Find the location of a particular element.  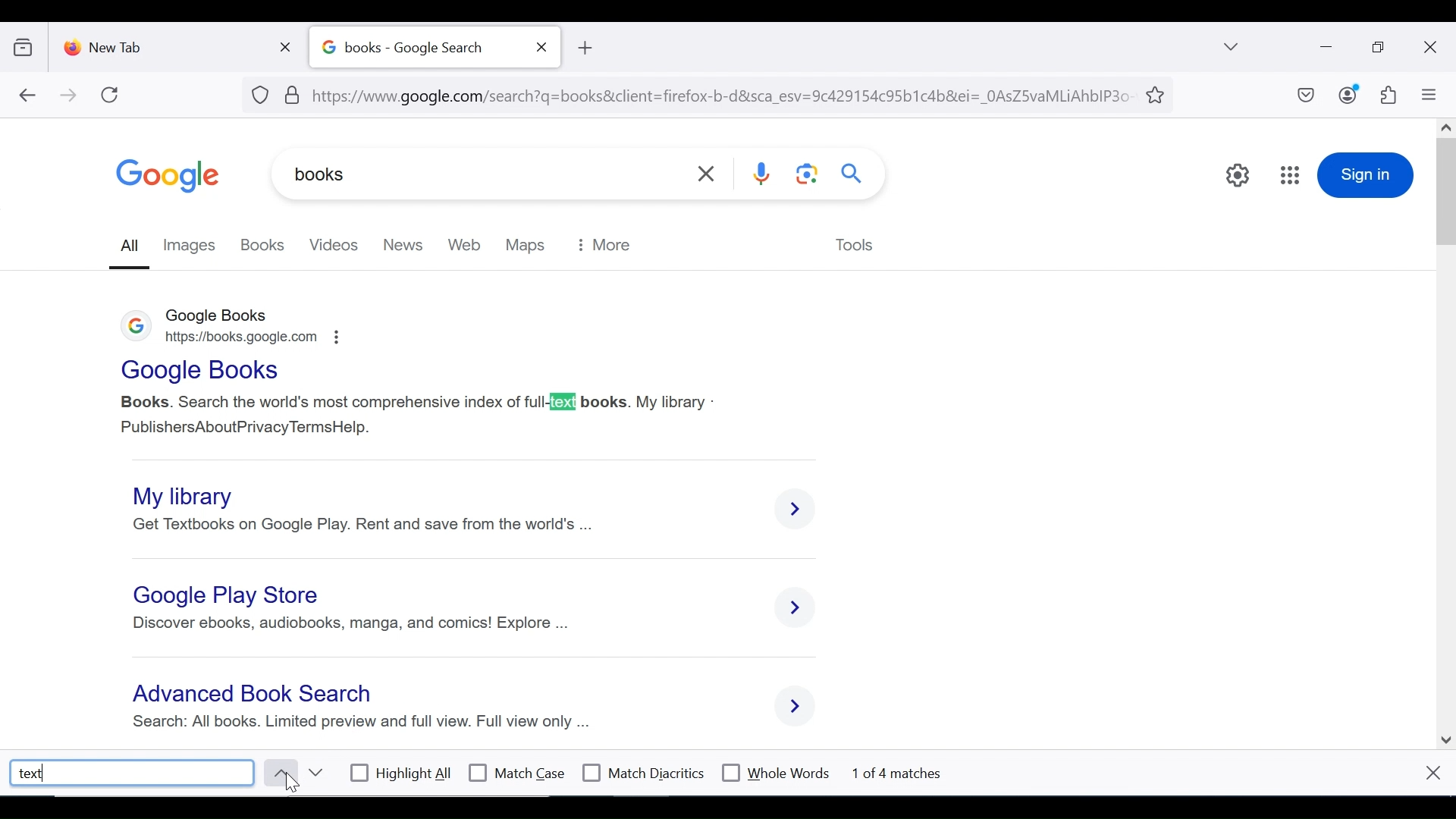

refresh is located at coordinates (111, 95).